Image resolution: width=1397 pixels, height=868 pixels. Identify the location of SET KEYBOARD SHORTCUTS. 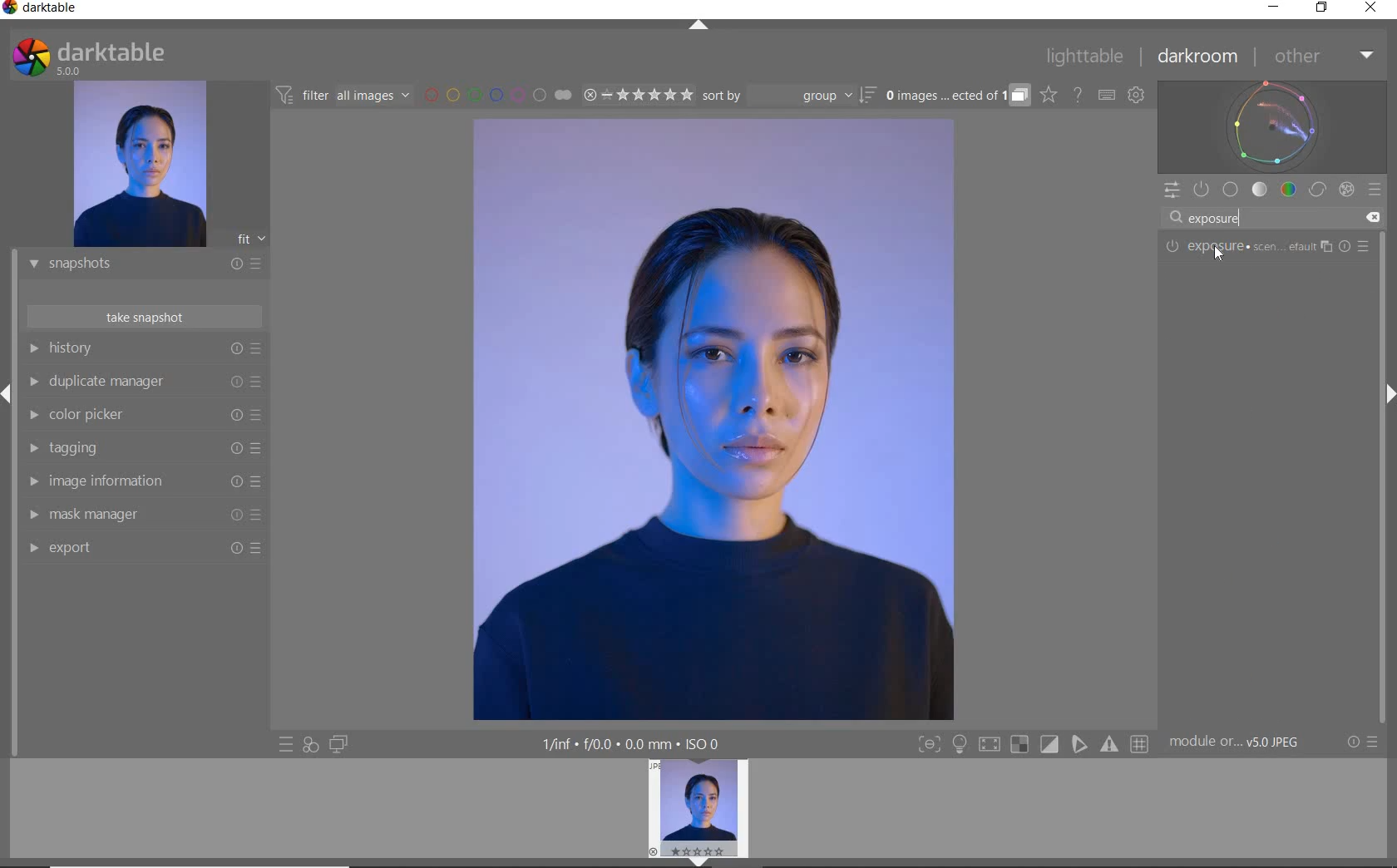
(1107, 95).